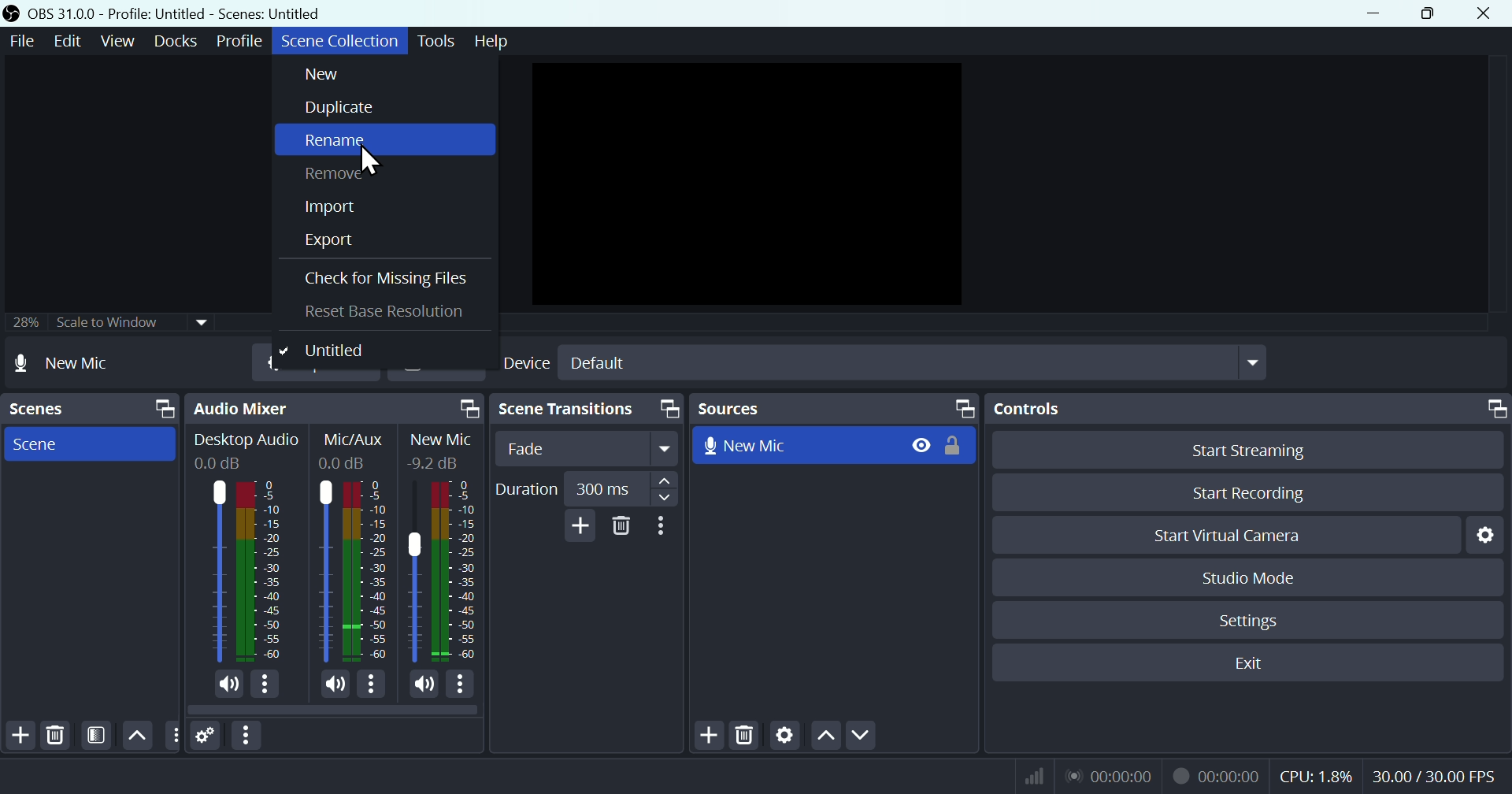 This screenshot has height=794, width=1512. Describe the element at coordinates (62, 43) in the screenshot. I see `Edit` at that location.